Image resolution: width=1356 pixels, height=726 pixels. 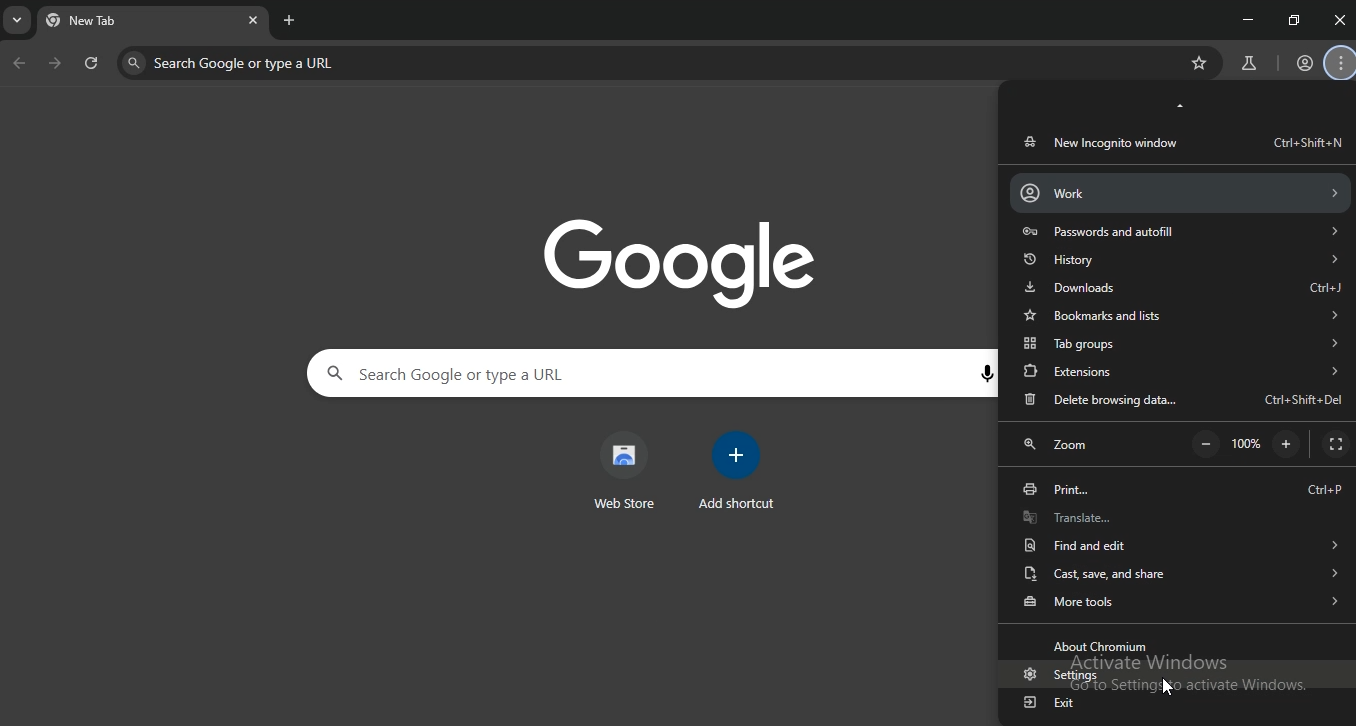 What do you see at coordinates (1177, 543) in the screenshot?
I see `find and edit` at bounding box center [1177, 543].